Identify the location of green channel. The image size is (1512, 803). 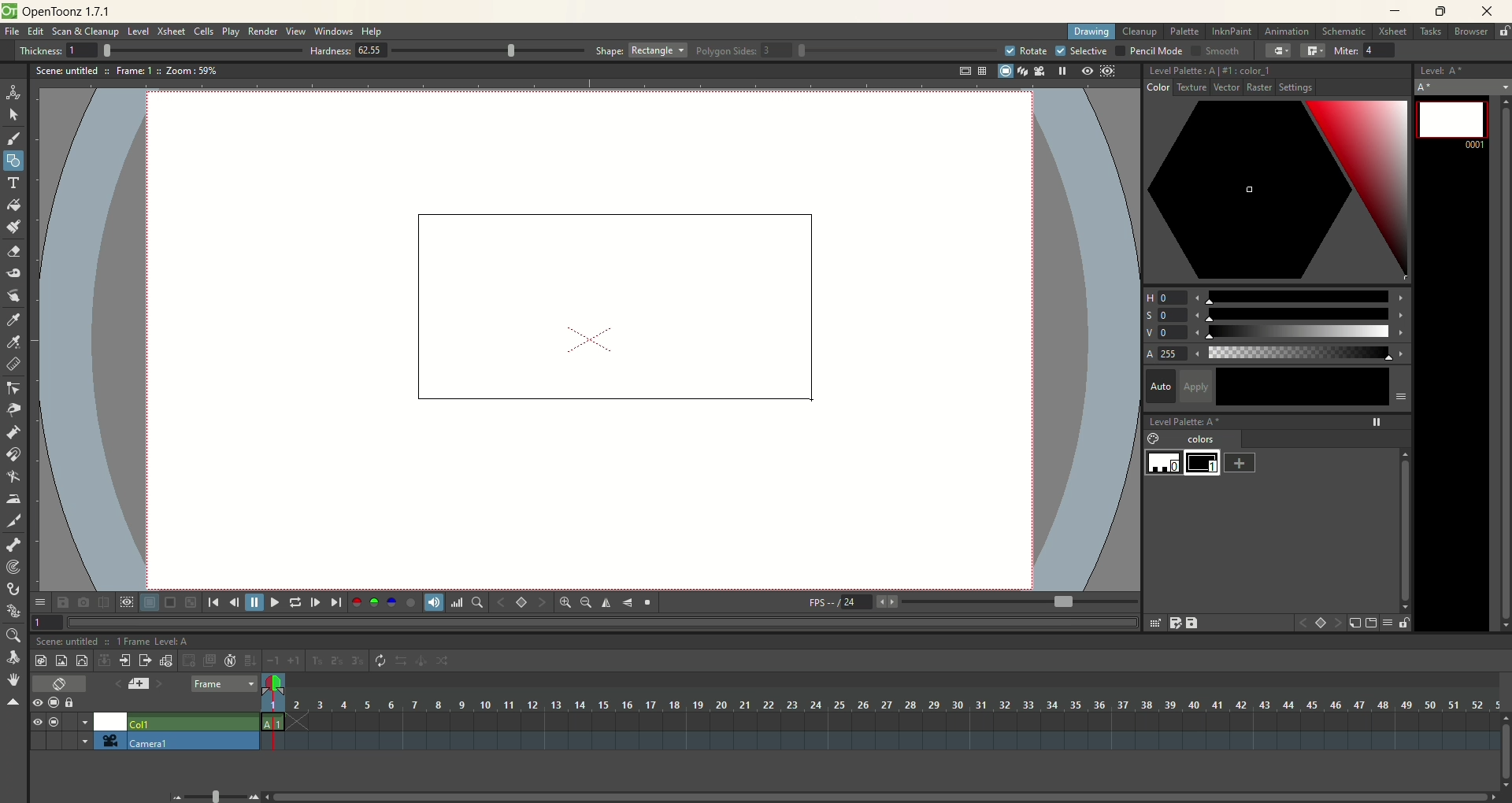
(375, 602).